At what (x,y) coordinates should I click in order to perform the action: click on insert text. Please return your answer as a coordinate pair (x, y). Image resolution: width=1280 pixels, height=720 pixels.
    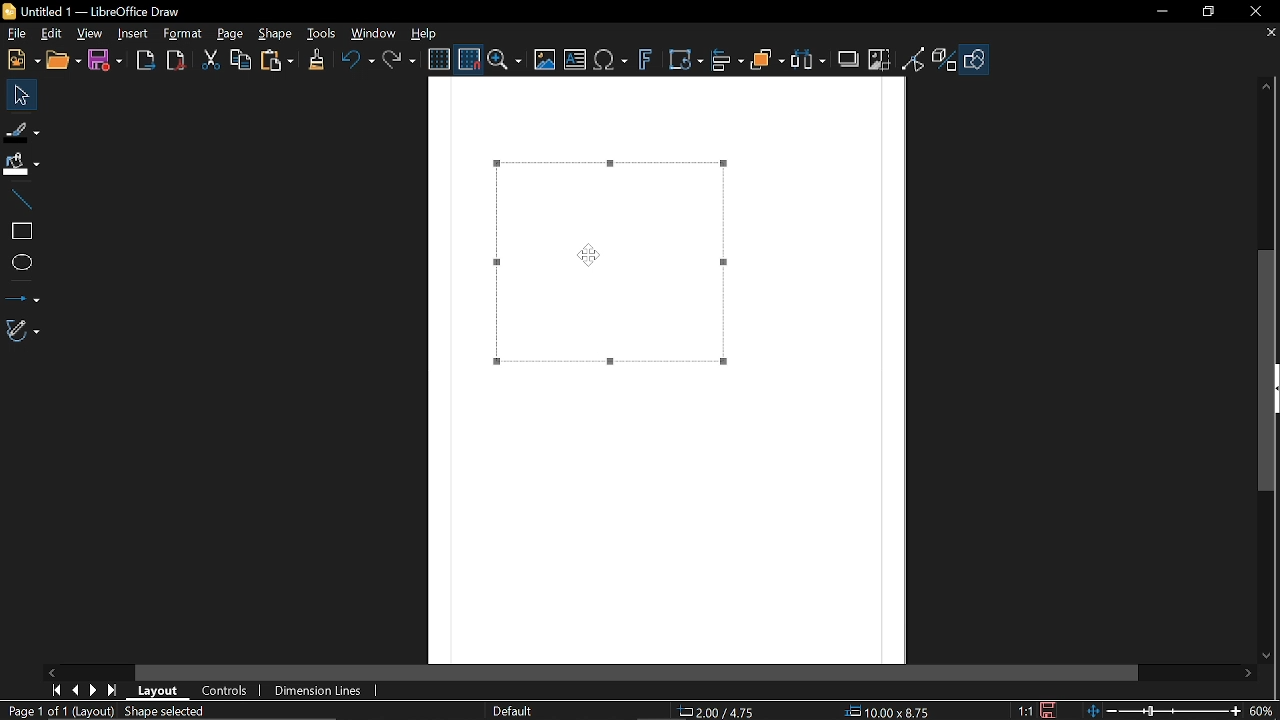
    Looking at the image, I should click on (575, 61).